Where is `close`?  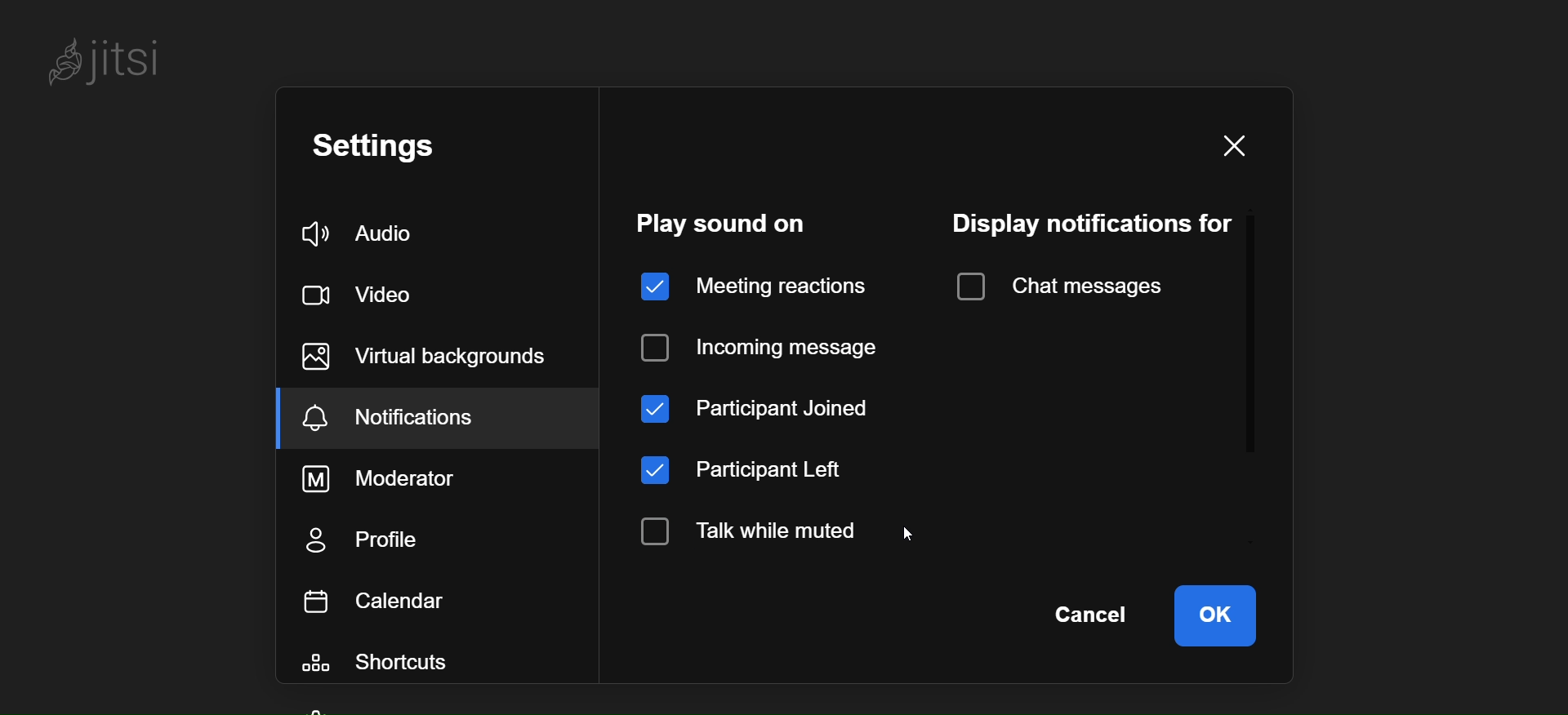
close is located at coordinates (1238, 145).